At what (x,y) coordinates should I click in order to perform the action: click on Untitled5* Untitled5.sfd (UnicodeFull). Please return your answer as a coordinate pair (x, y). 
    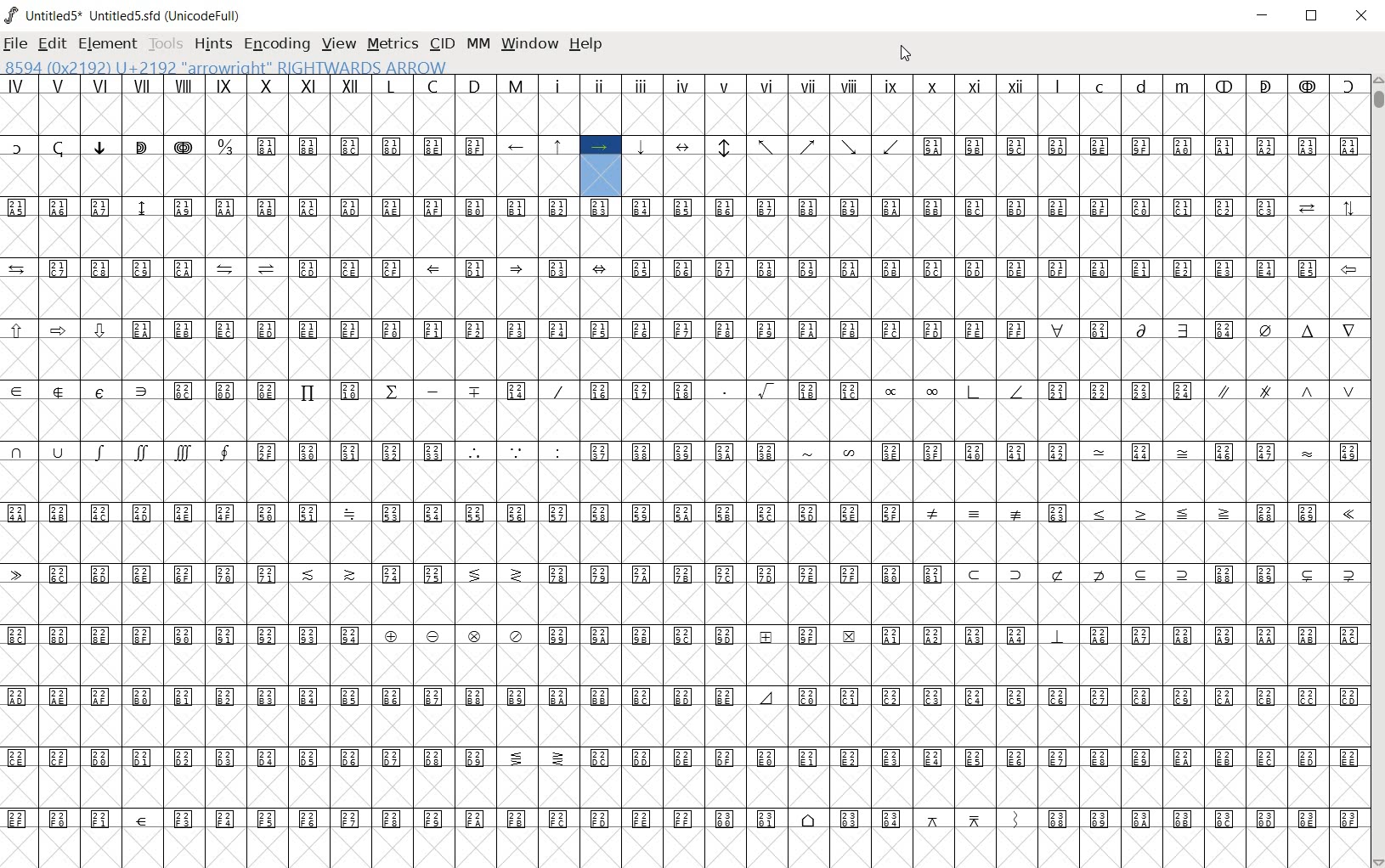
    Looking at the image, I should click on (124, 13).